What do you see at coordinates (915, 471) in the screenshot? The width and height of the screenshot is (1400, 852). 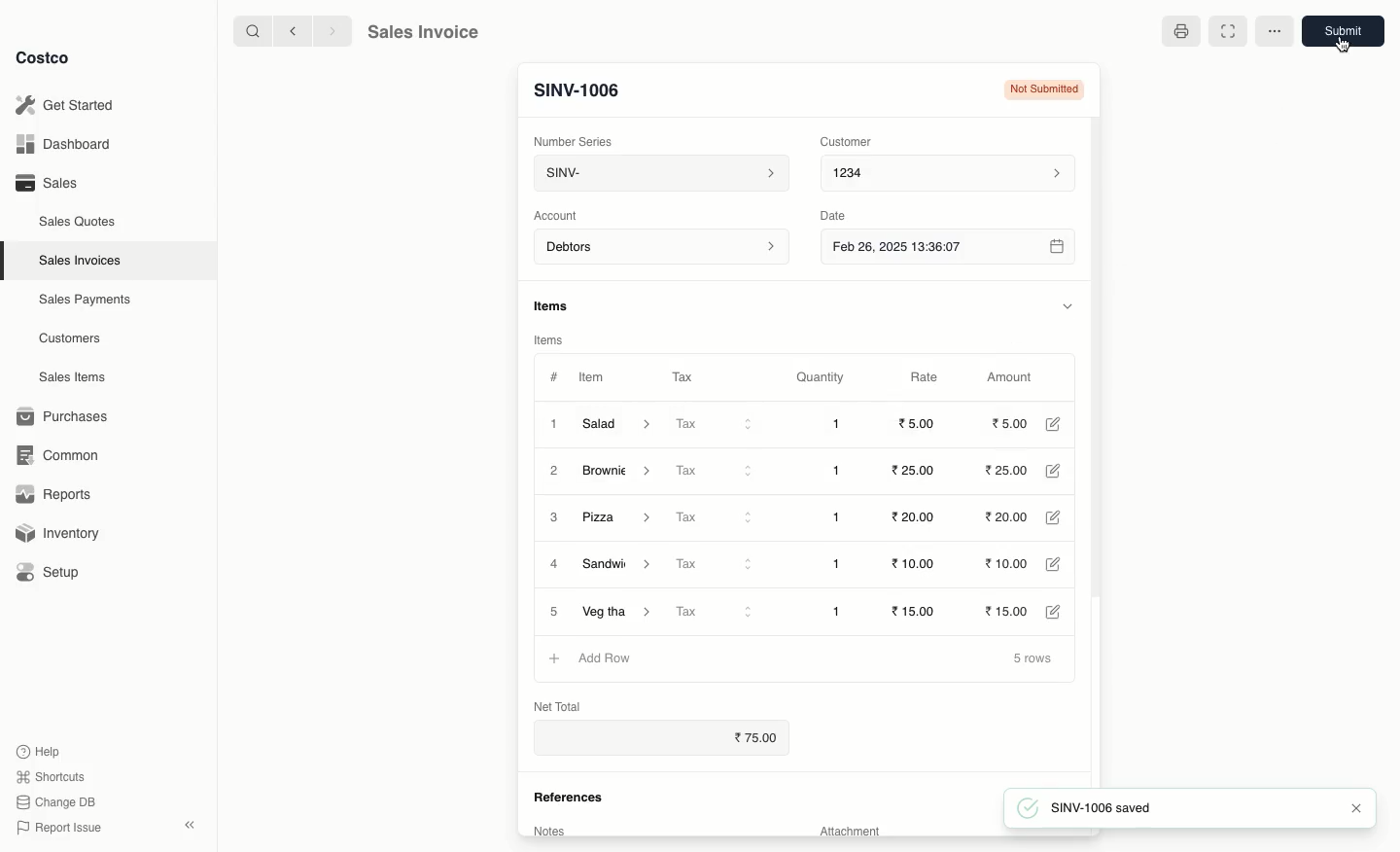 I see `25.00` at bounding box center [915, 471].